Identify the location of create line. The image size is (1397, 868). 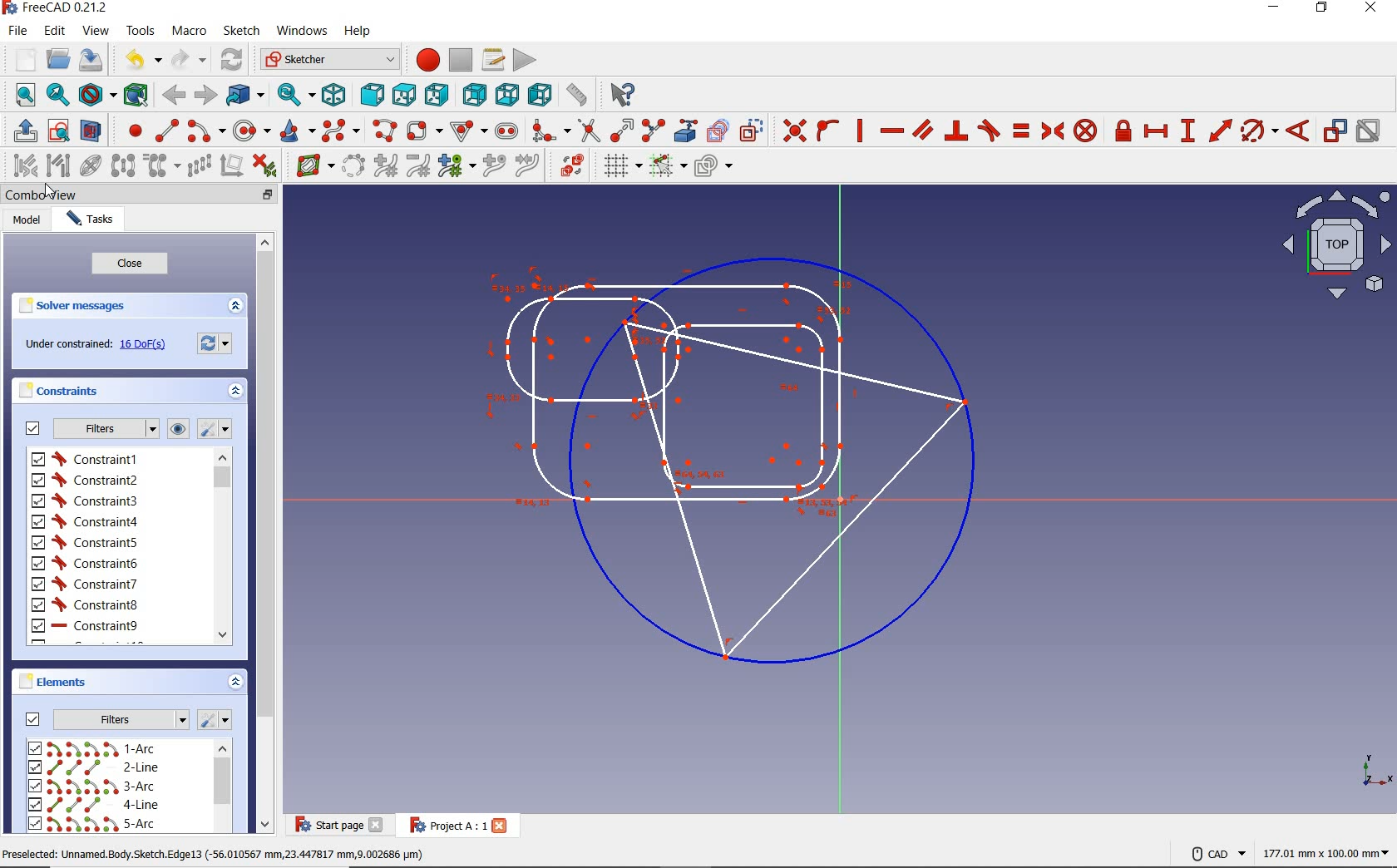
(166, 131).